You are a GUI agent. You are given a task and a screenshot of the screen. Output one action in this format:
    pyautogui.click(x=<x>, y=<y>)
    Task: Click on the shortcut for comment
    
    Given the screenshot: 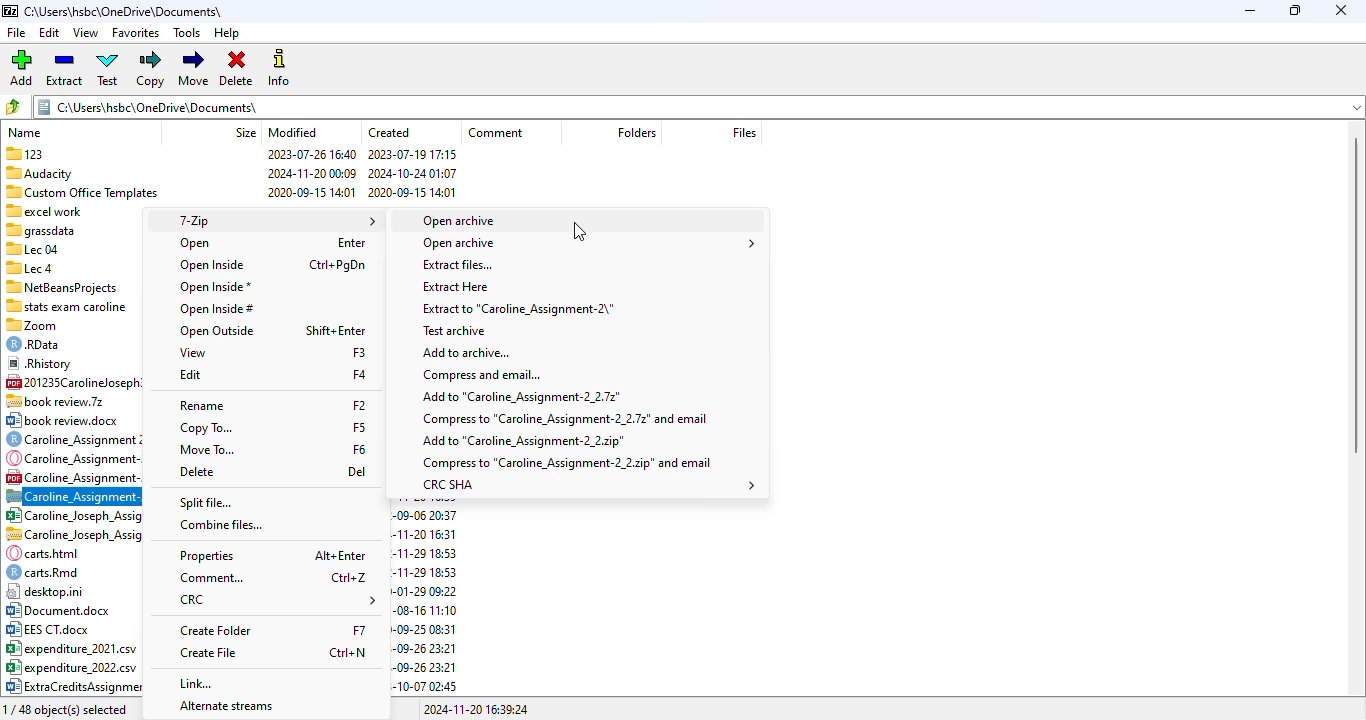 What is the action you would take?
    pyautogui.click(x=349, y=578)
    